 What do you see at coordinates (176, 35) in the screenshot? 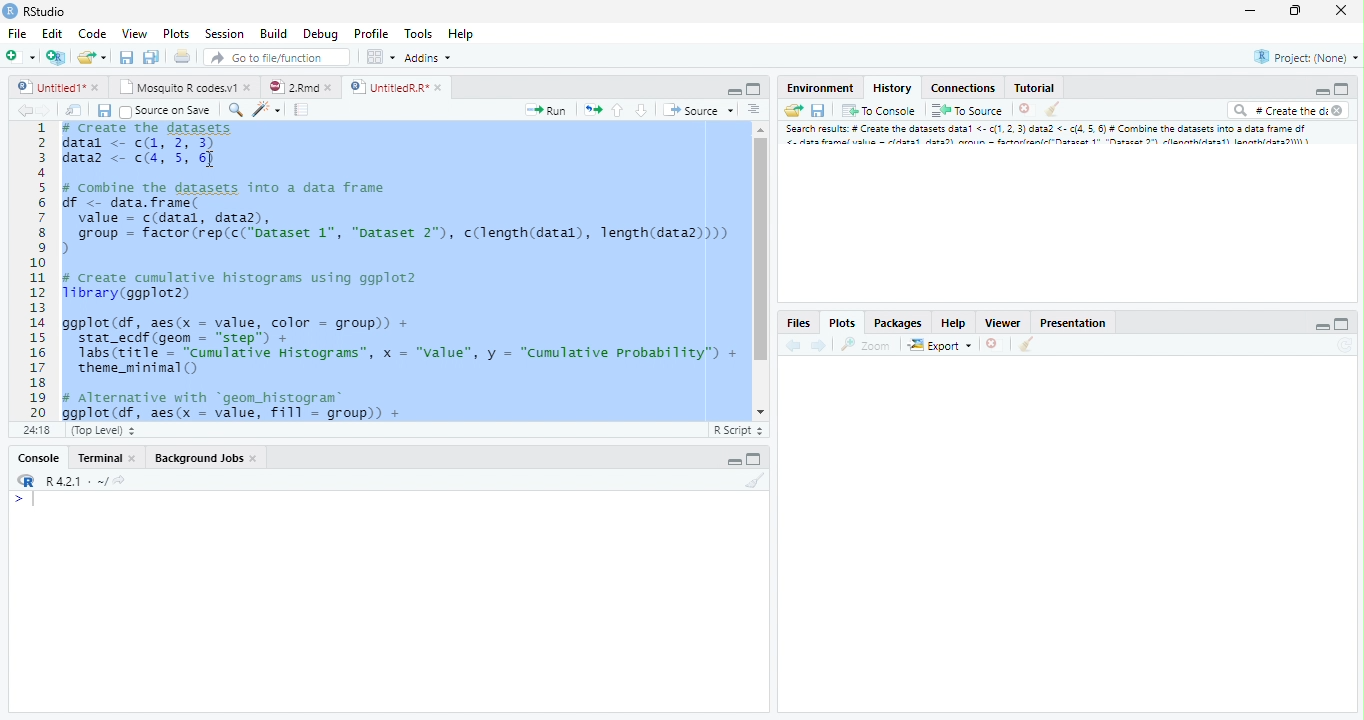
I see `Plots` at bounding box center [176, 35].